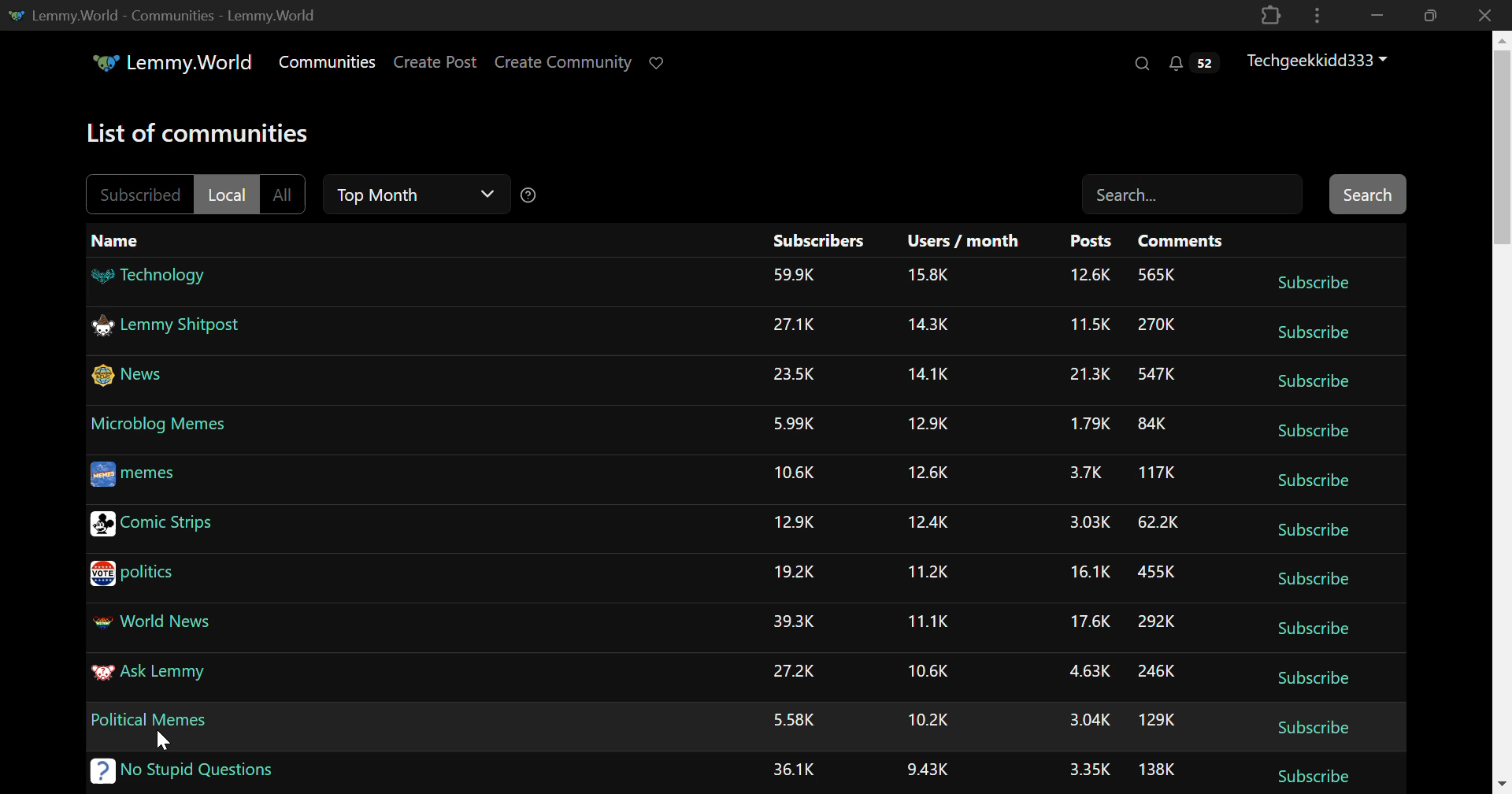 This screenshot has height=794, width=1512. Describe the element at coordinates (564, 61) in the screenshot. I see `Create Community Page Link` at that location.